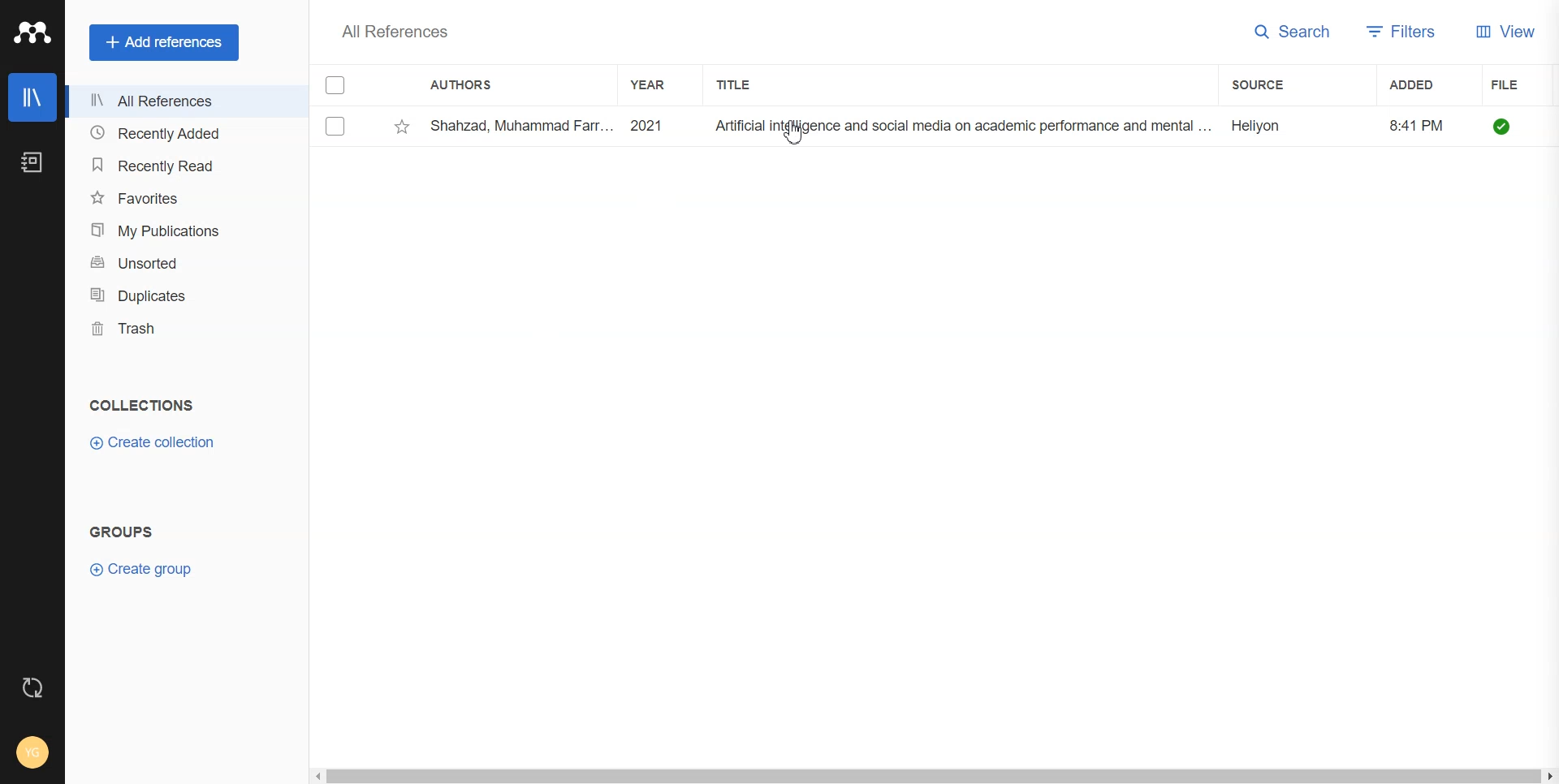 Image resolution: width=1559 pixels, height=784 pixels. What do you see at coordinates (1293, 32) in the screenshot?
I see `Search` at bounding box center [1293, 32].